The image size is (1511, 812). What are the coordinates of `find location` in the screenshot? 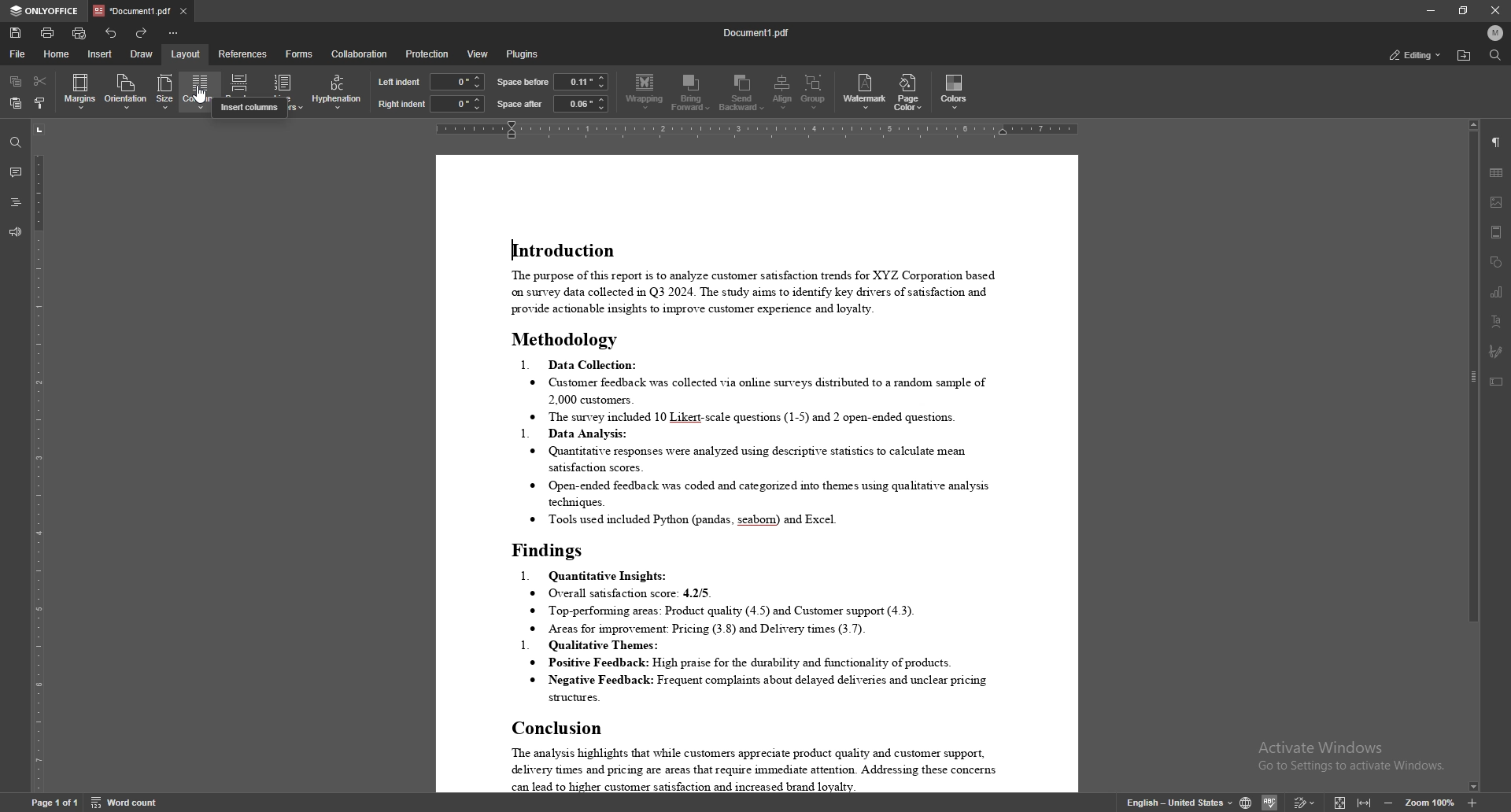 It's located at (1465, 56).